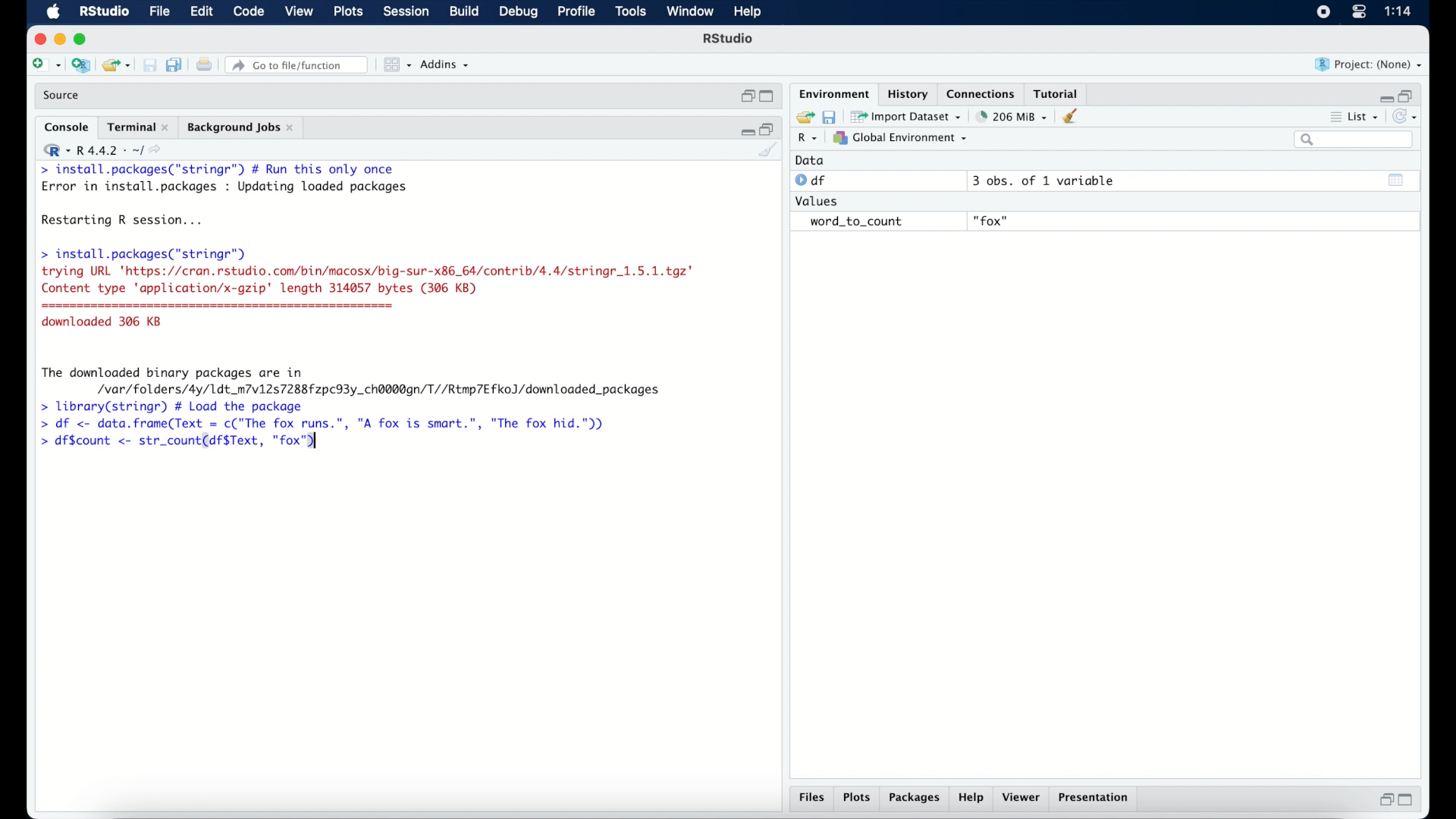  Describe the element at coordinates (126, 221) in the screenshot. I see `Restarting R session...` at that location.